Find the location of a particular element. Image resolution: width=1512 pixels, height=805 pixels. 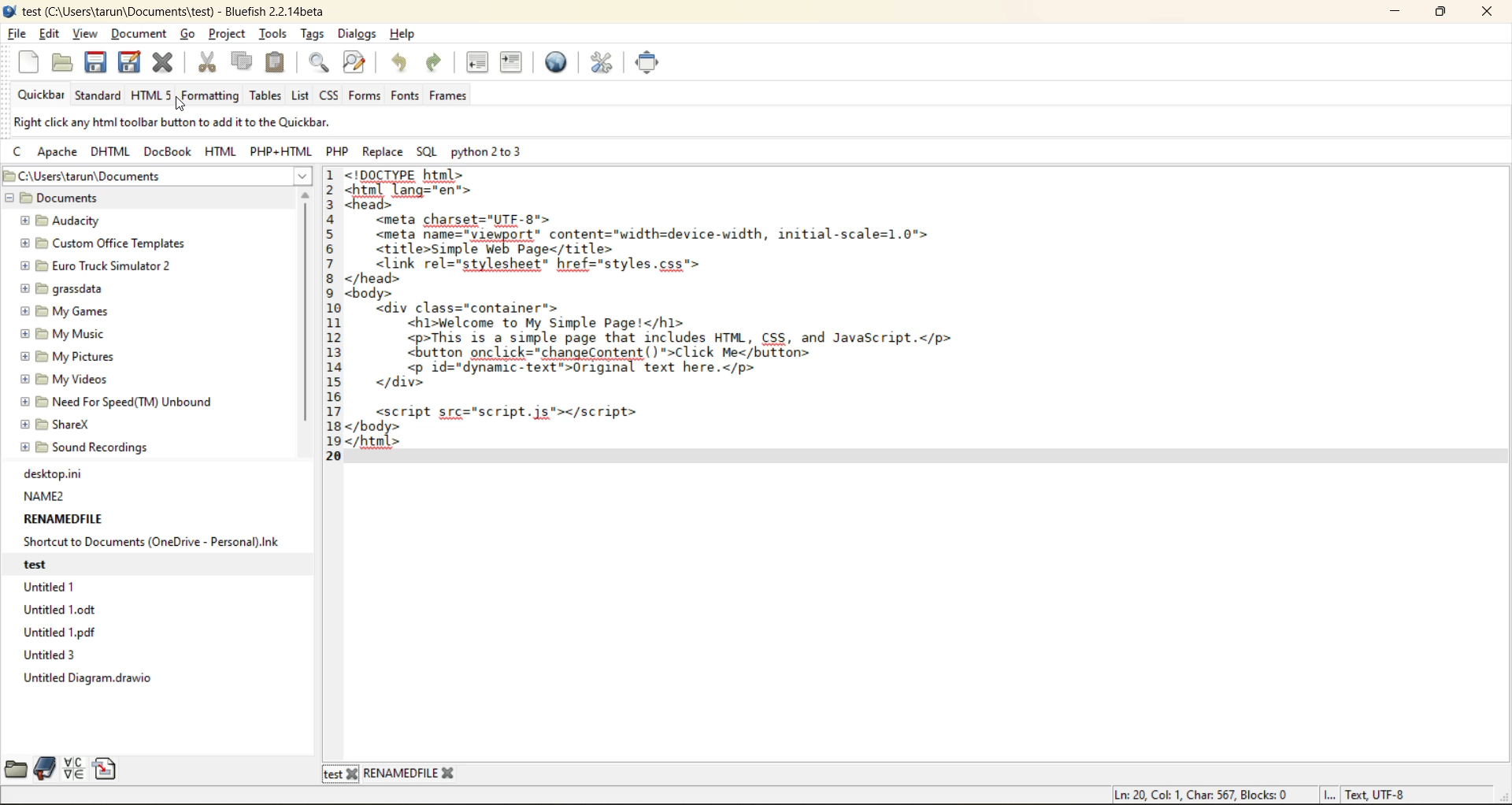

bookmarks is located at coordinates (46, 770).